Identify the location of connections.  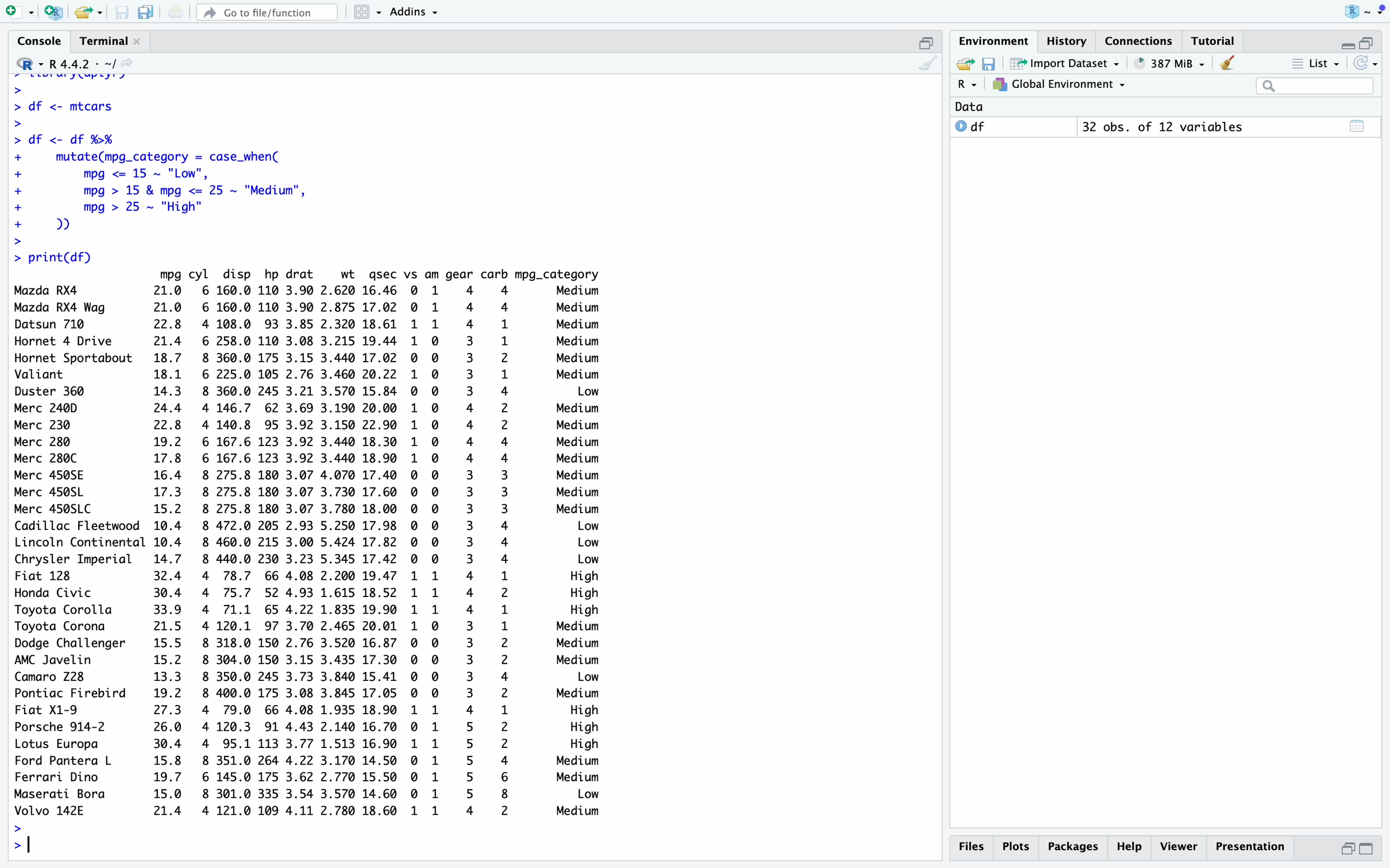
(1140, 41).